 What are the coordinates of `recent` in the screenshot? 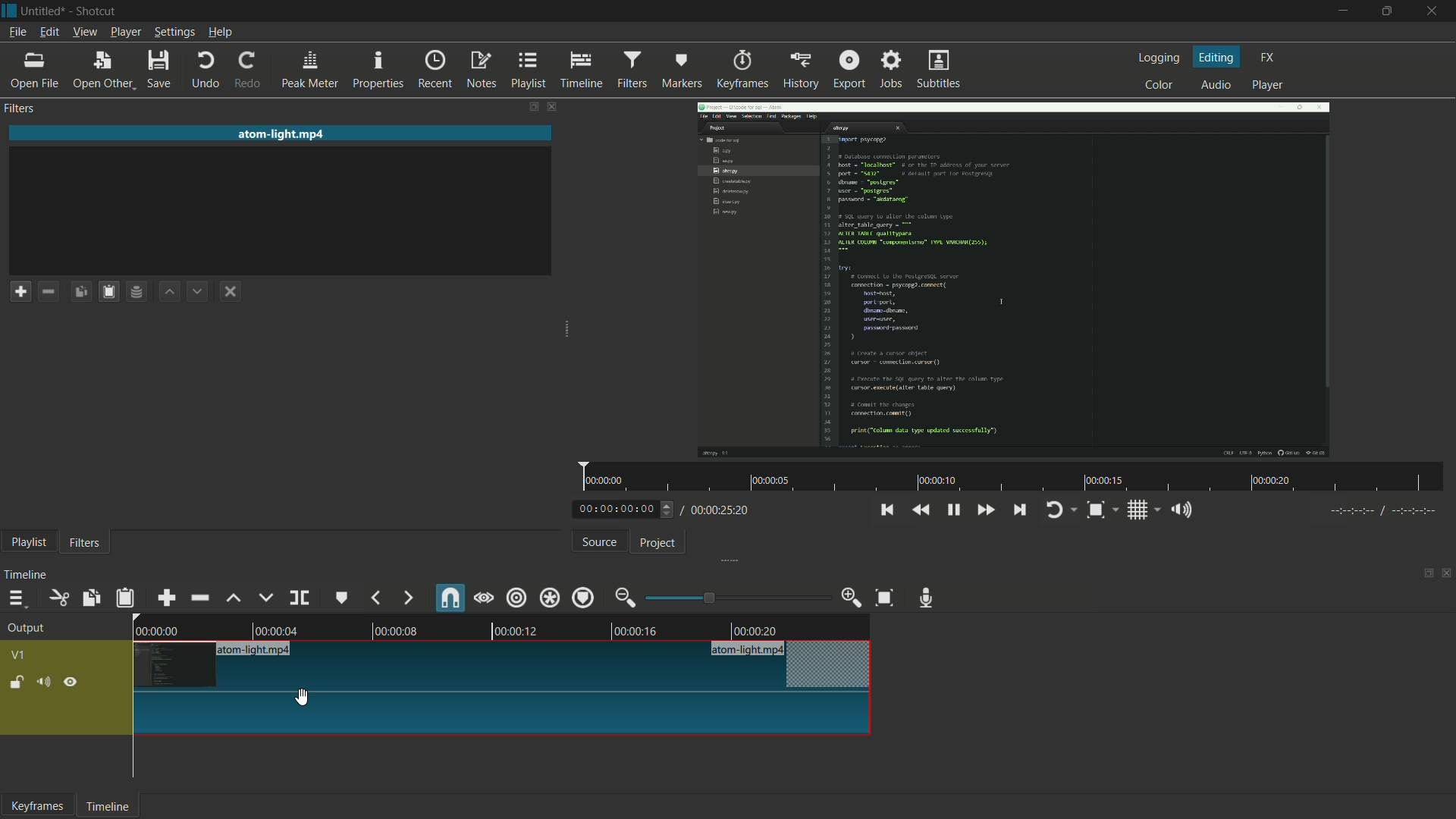 It's located at (435, 69).